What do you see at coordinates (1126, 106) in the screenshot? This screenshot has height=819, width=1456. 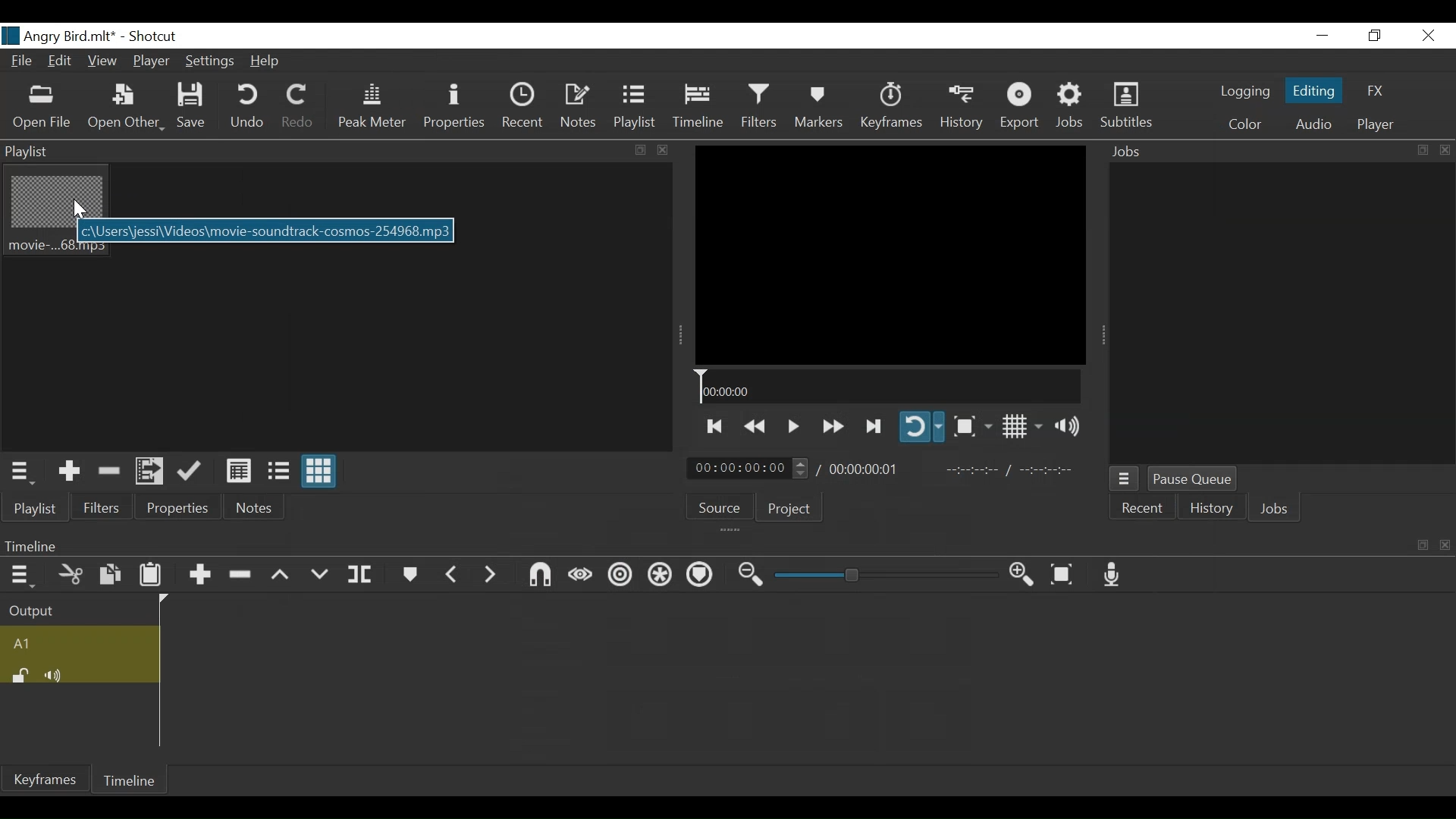 I see `Subtitles` at bounding box center [1126, 106].